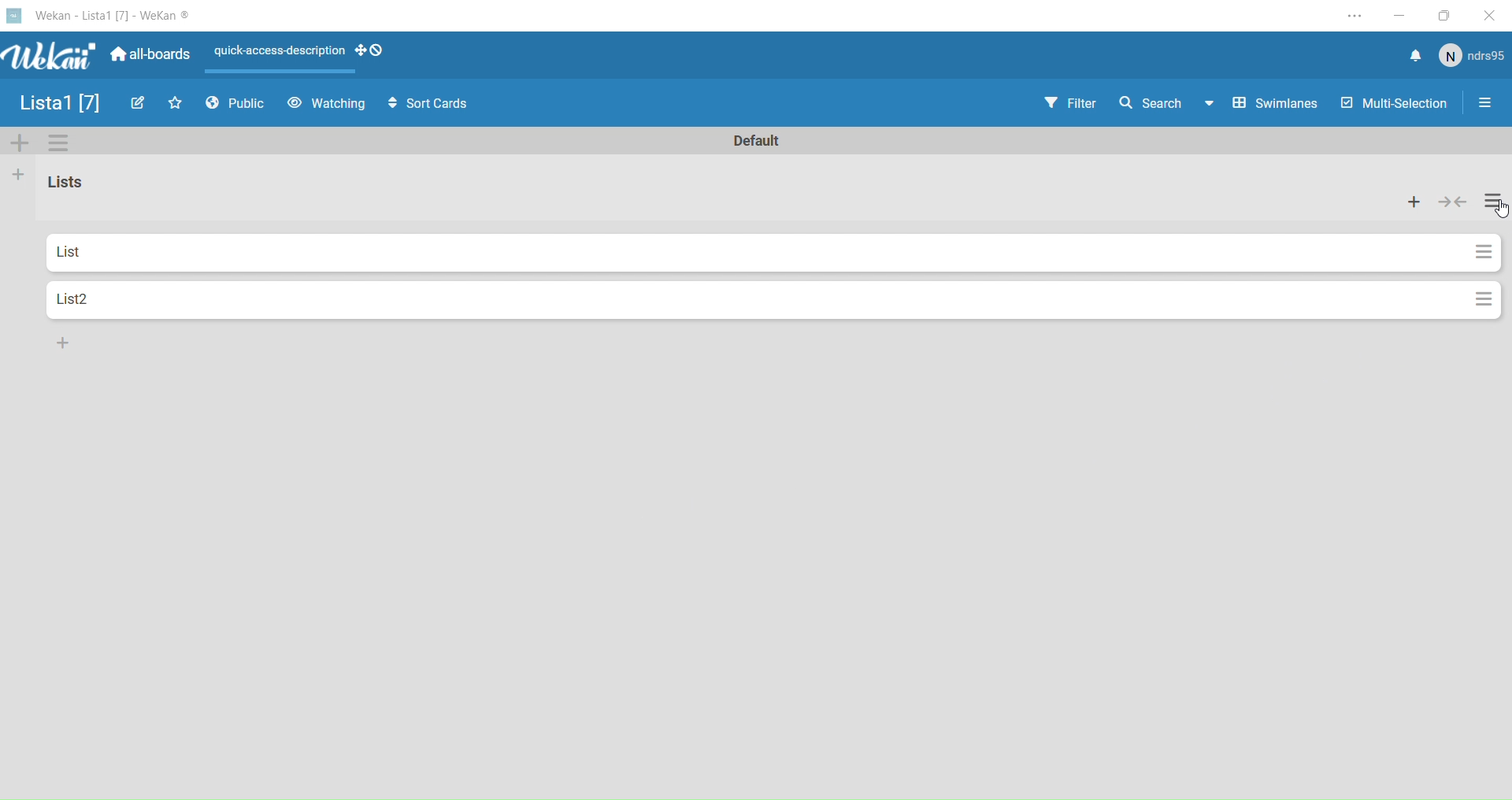  Describe the element at coordinates (272, 51) in the screenshot. I see `Layout actions` at that location.